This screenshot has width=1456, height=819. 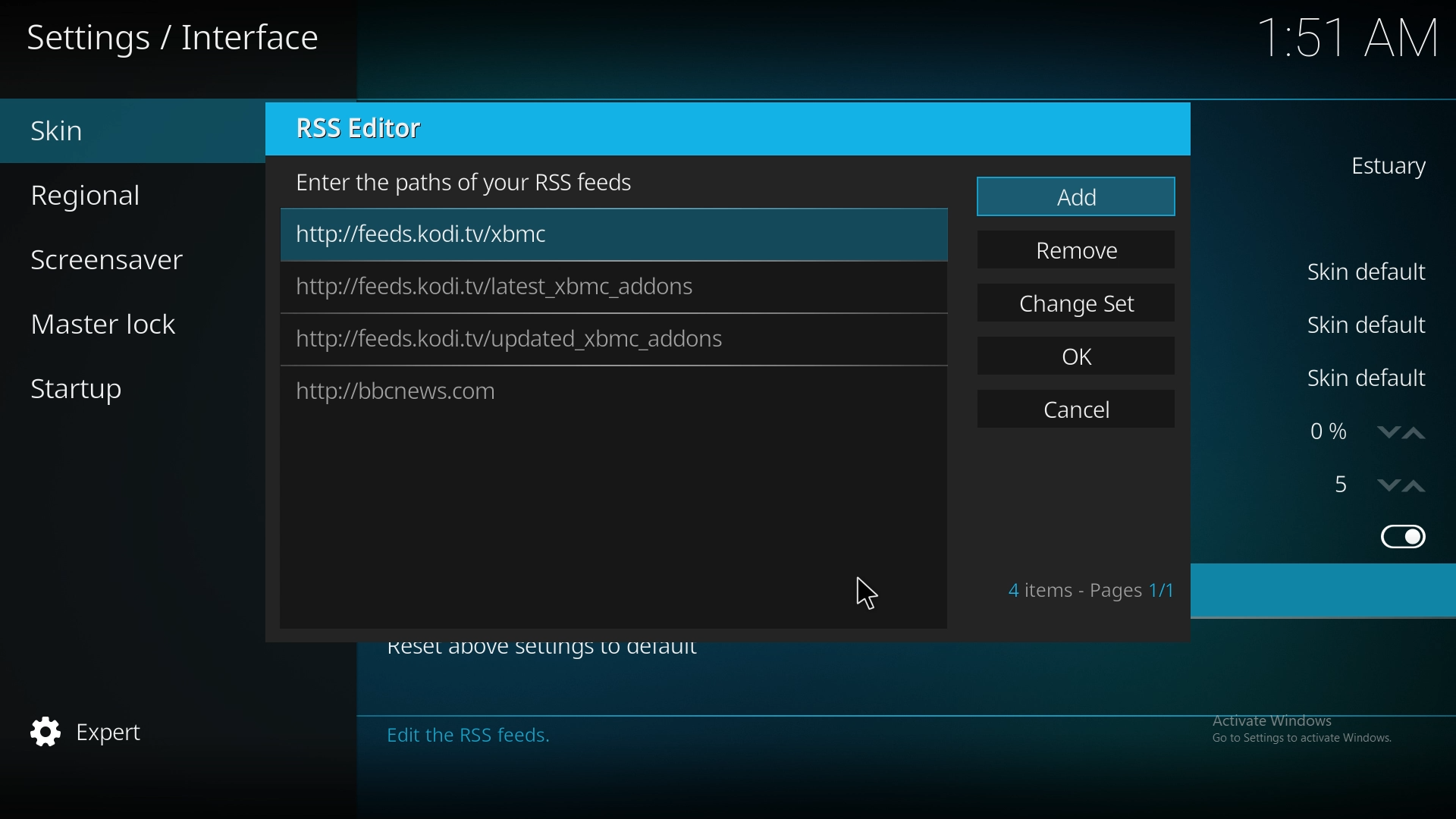 What do you see at coordinates (1351, 42) in the screenshot?
I see `1:51 AM` at bounding box center [1351, 42].